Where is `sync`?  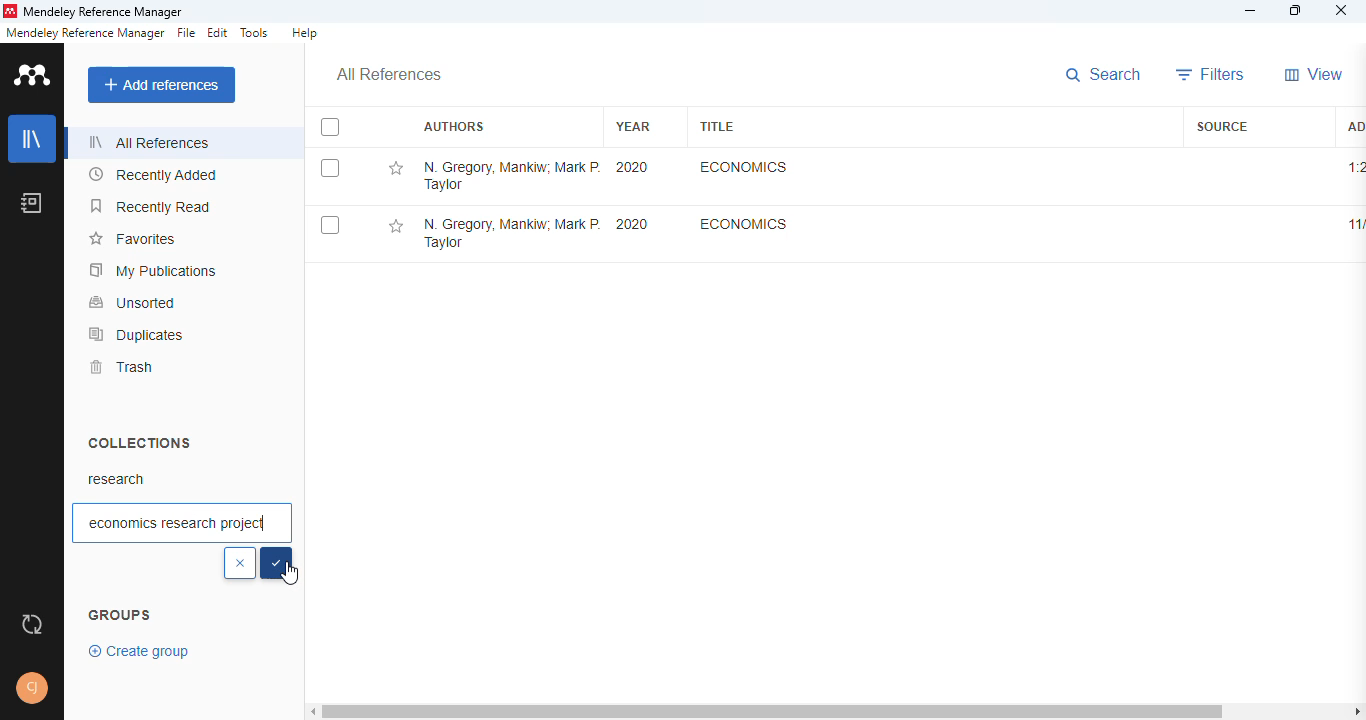
sync is located at coordinates (32, 625).